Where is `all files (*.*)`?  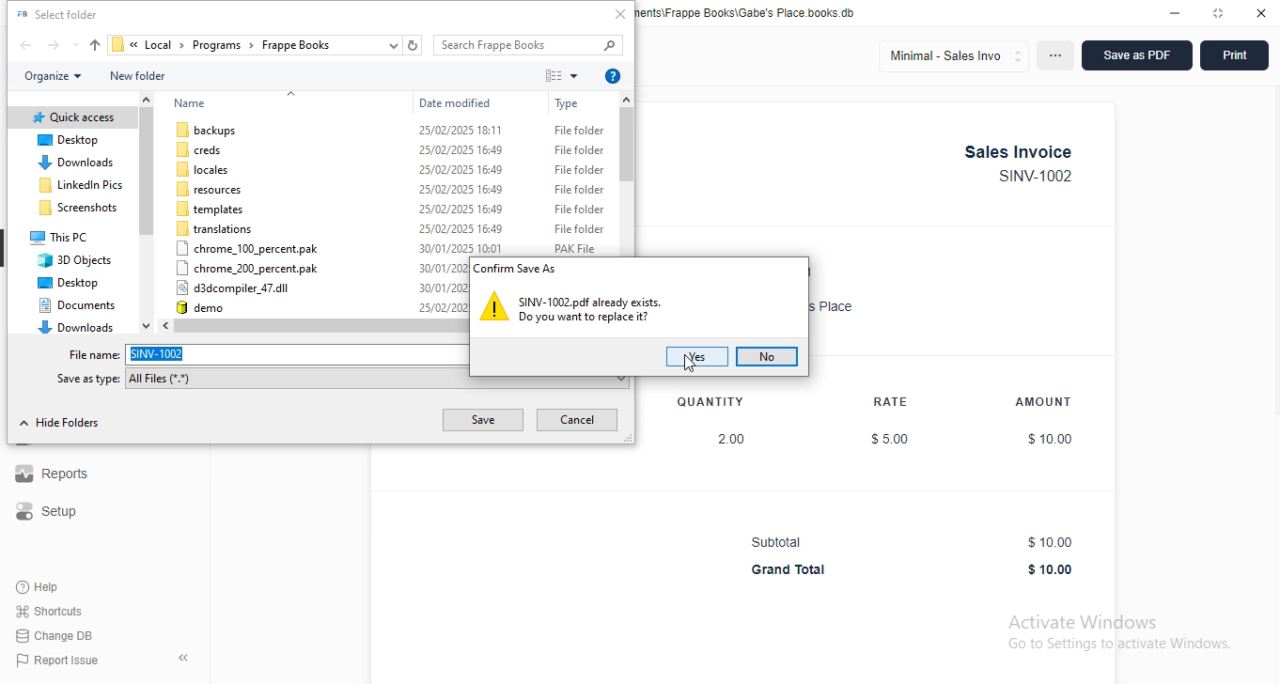 all files (*.*) is located at coordinates (378, 382).